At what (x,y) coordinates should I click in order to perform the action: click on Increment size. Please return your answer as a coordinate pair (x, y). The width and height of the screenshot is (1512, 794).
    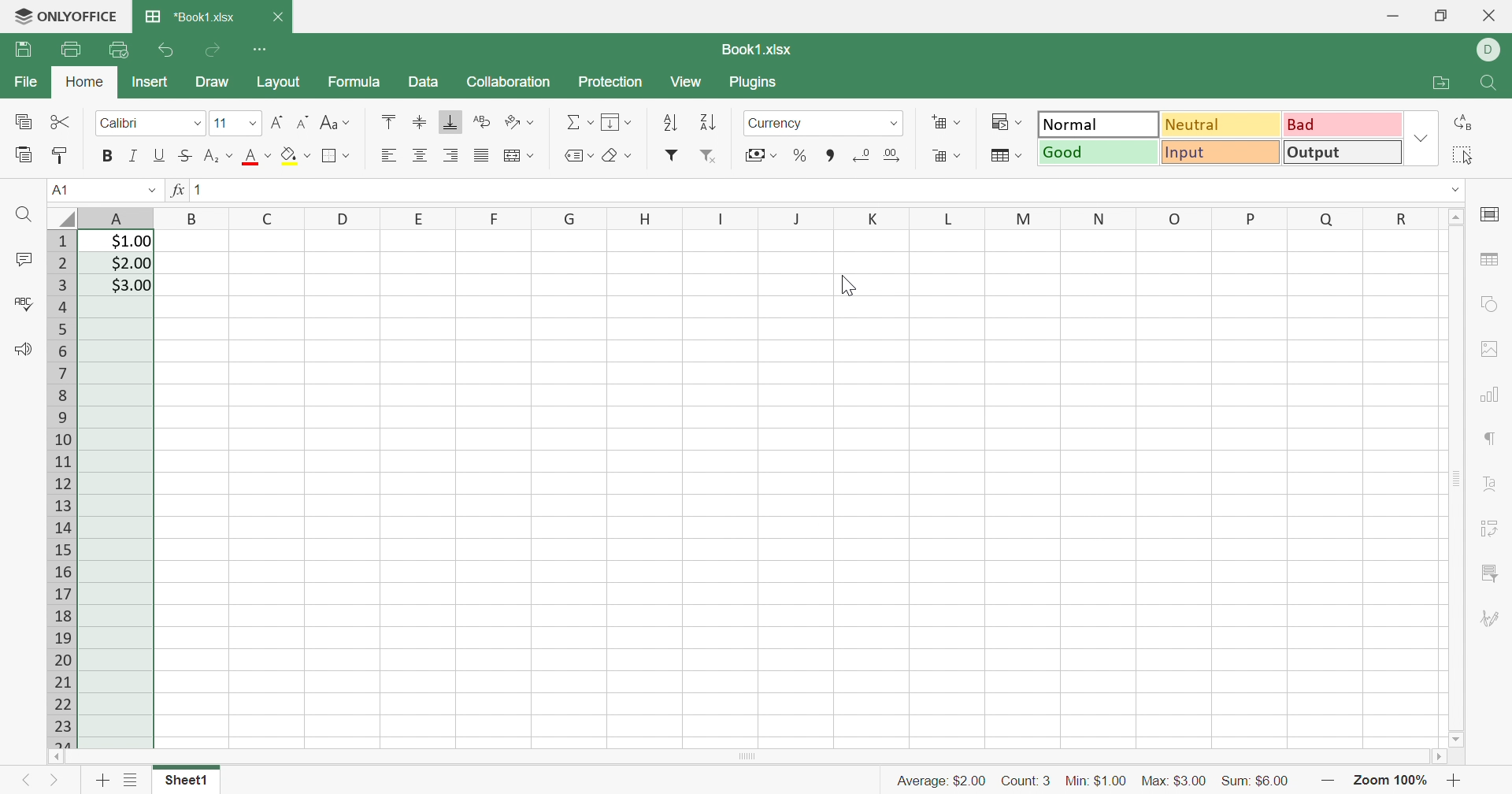
    Looking at the image, I should click on (305, 121).